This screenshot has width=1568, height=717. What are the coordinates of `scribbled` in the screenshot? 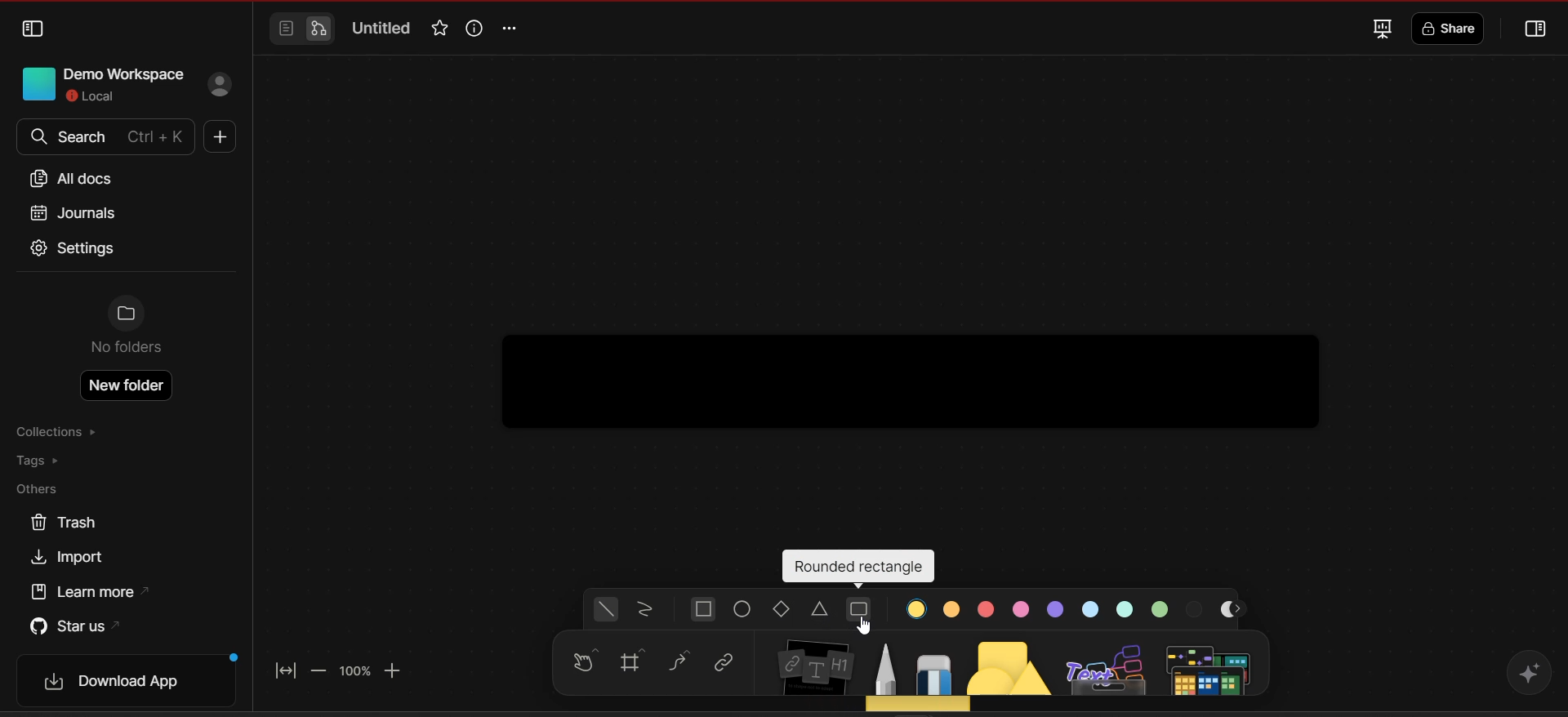 It's located at (645, 611).